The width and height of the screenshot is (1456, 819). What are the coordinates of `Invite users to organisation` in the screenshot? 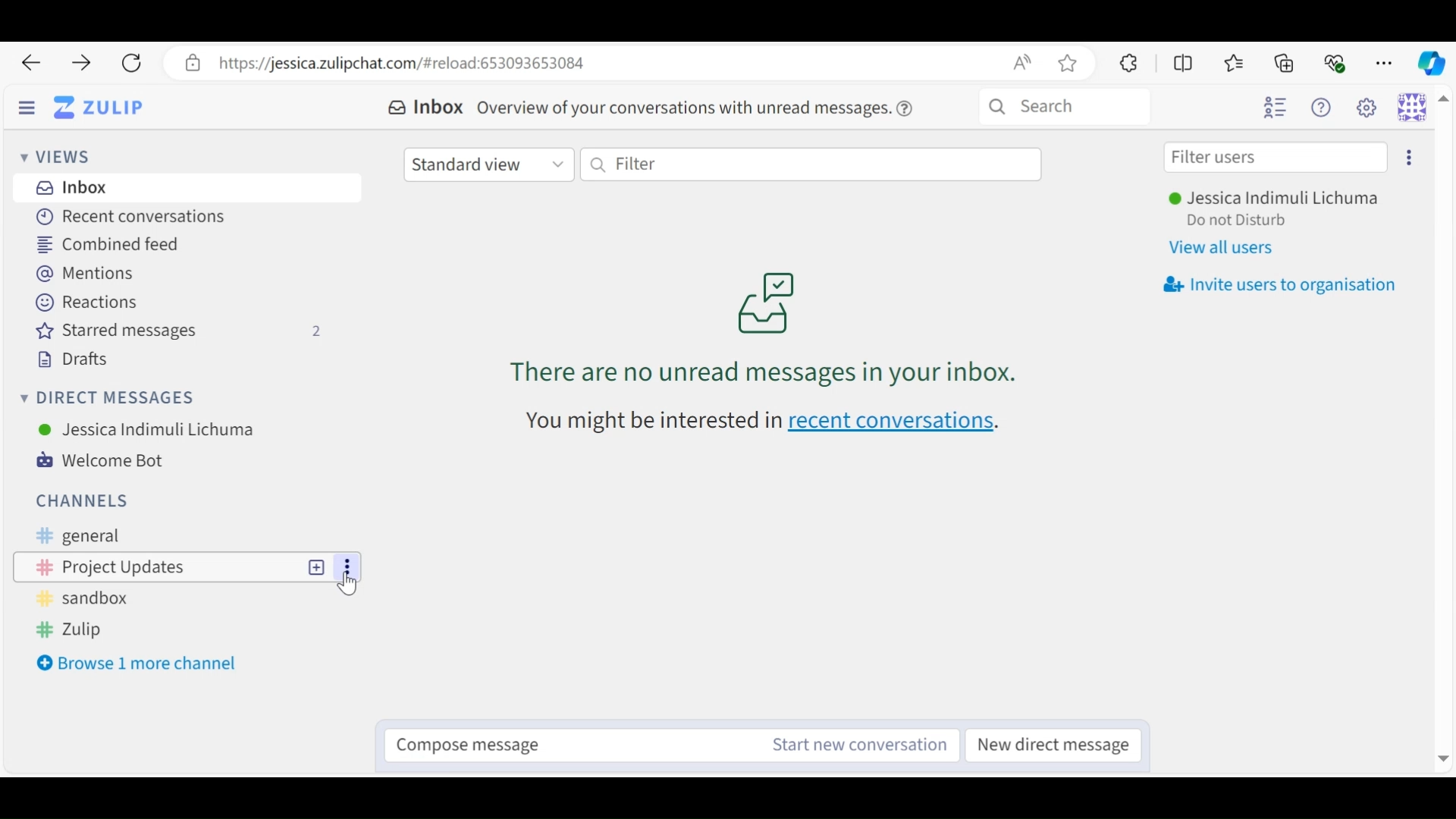 It's located at (1408, 158).